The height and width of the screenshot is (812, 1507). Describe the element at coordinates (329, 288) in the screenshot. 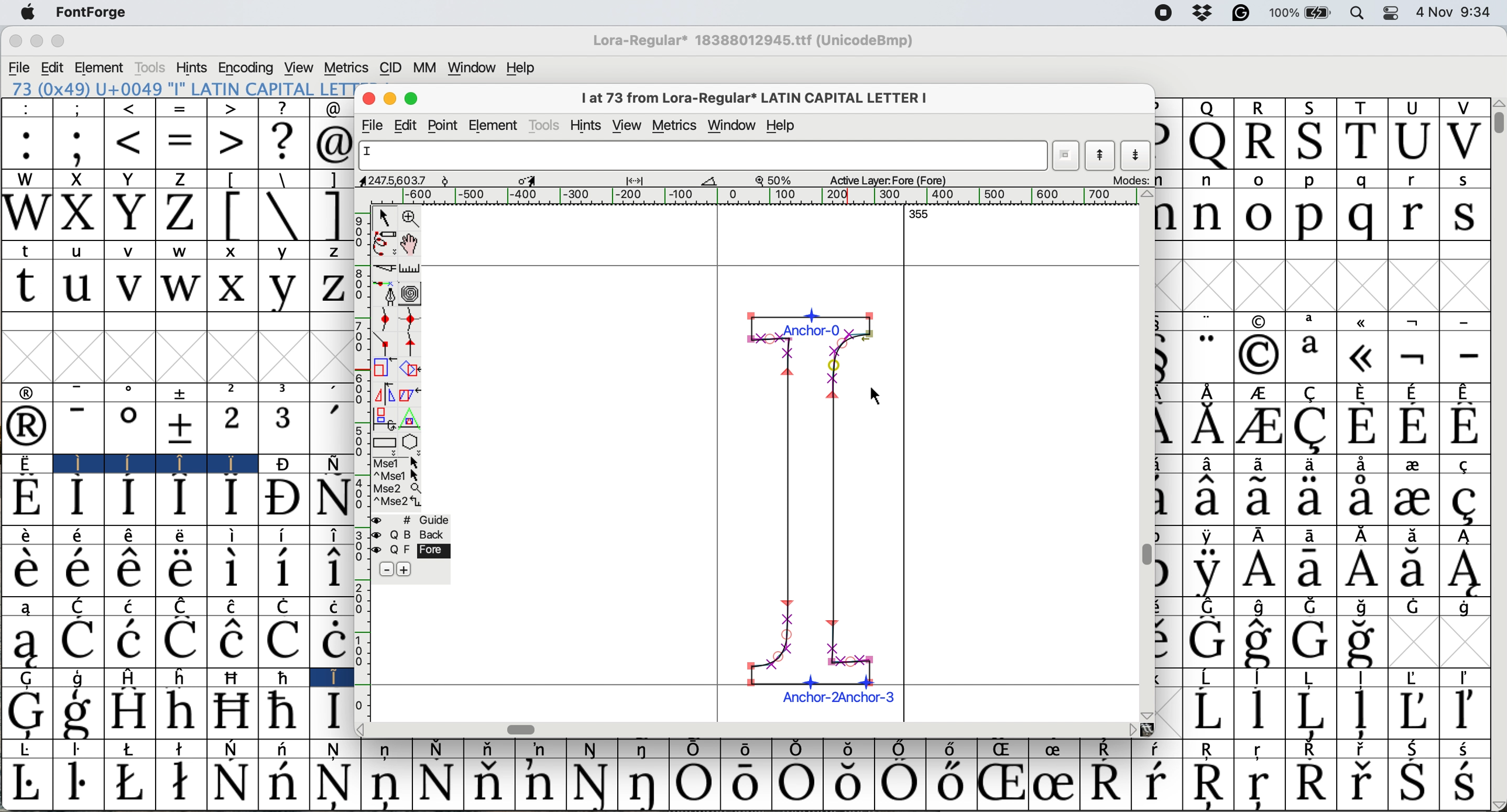

I see `z` at that location.